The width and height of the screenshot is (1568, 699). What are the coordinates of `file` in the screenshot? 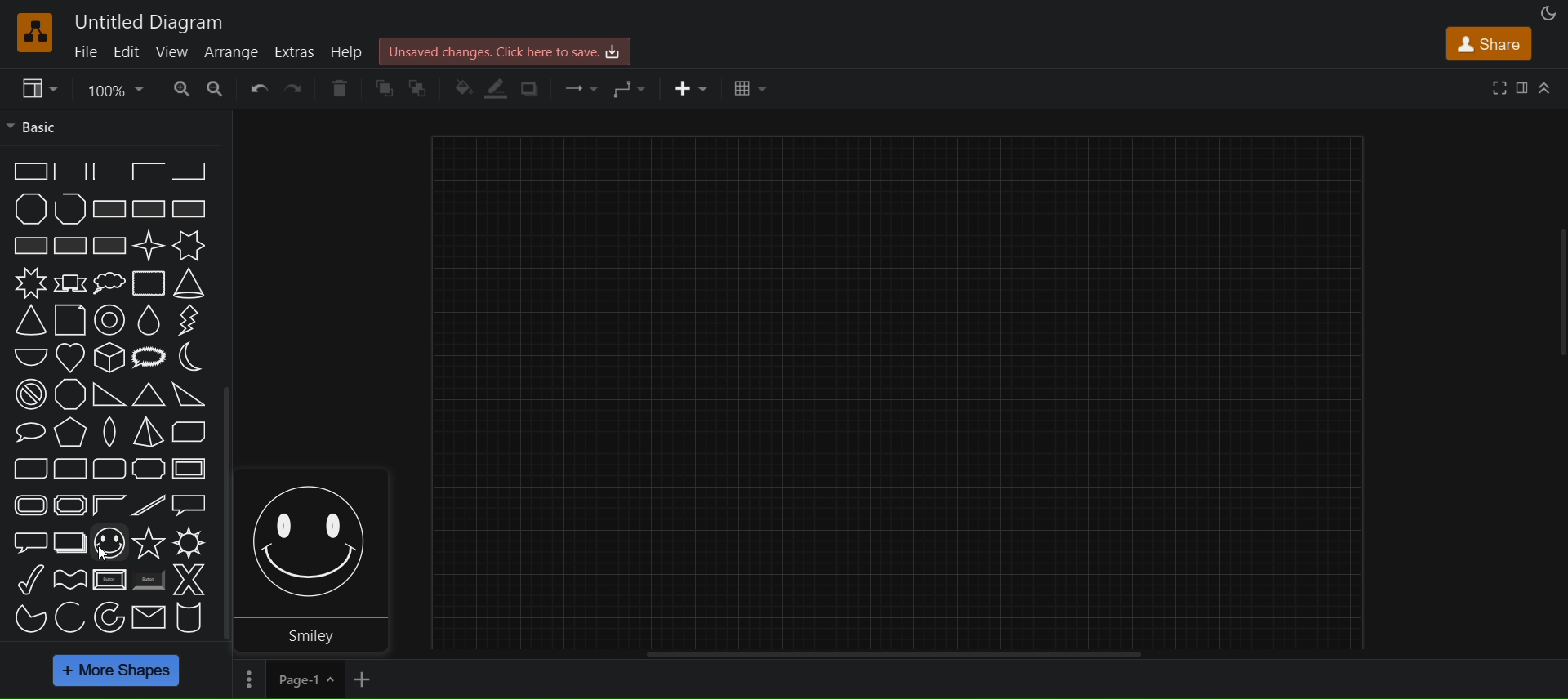 It's located at (86, 55).